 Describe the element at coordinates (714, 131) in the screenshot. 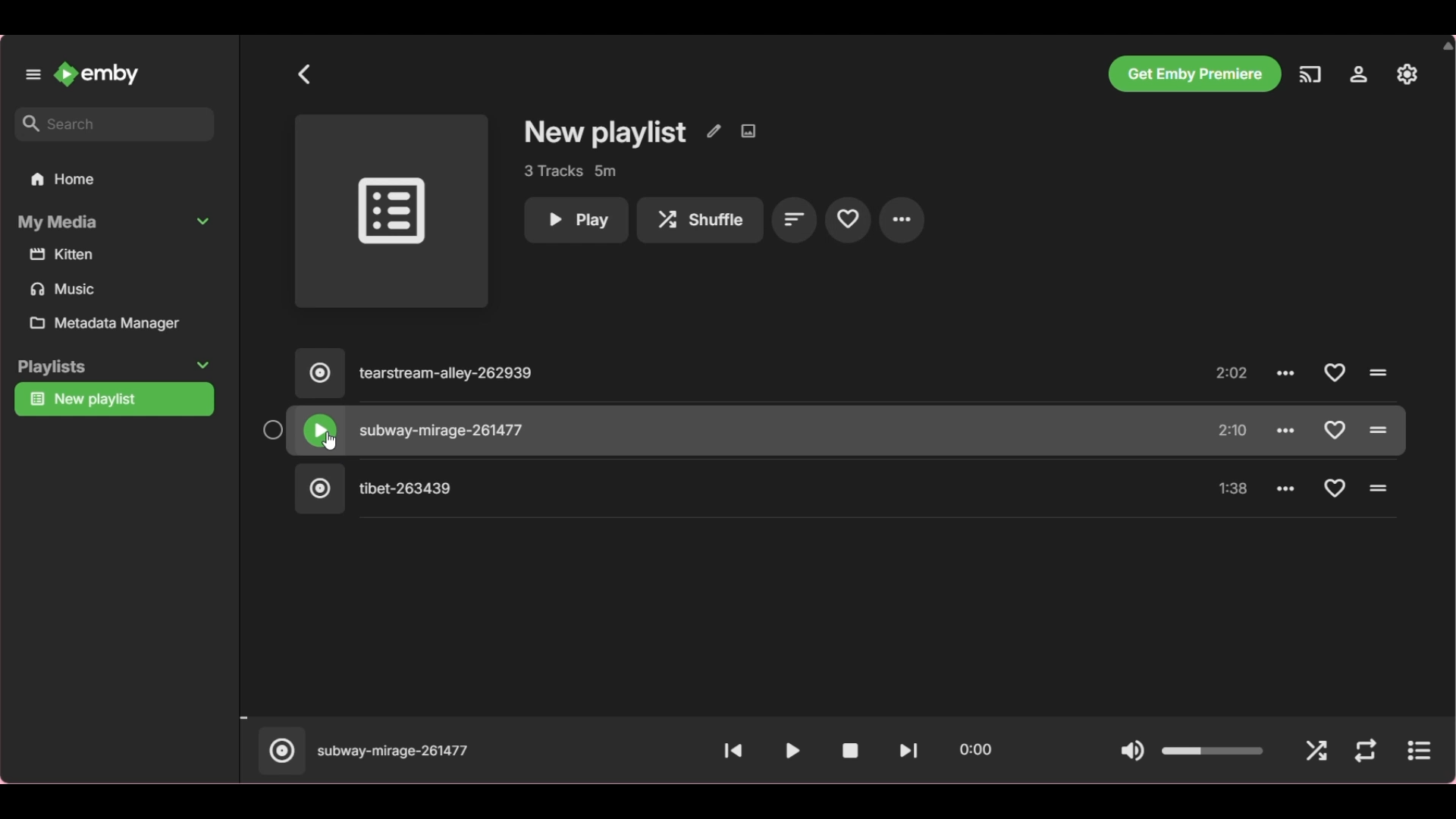

I see `Edit metadata` at that location.